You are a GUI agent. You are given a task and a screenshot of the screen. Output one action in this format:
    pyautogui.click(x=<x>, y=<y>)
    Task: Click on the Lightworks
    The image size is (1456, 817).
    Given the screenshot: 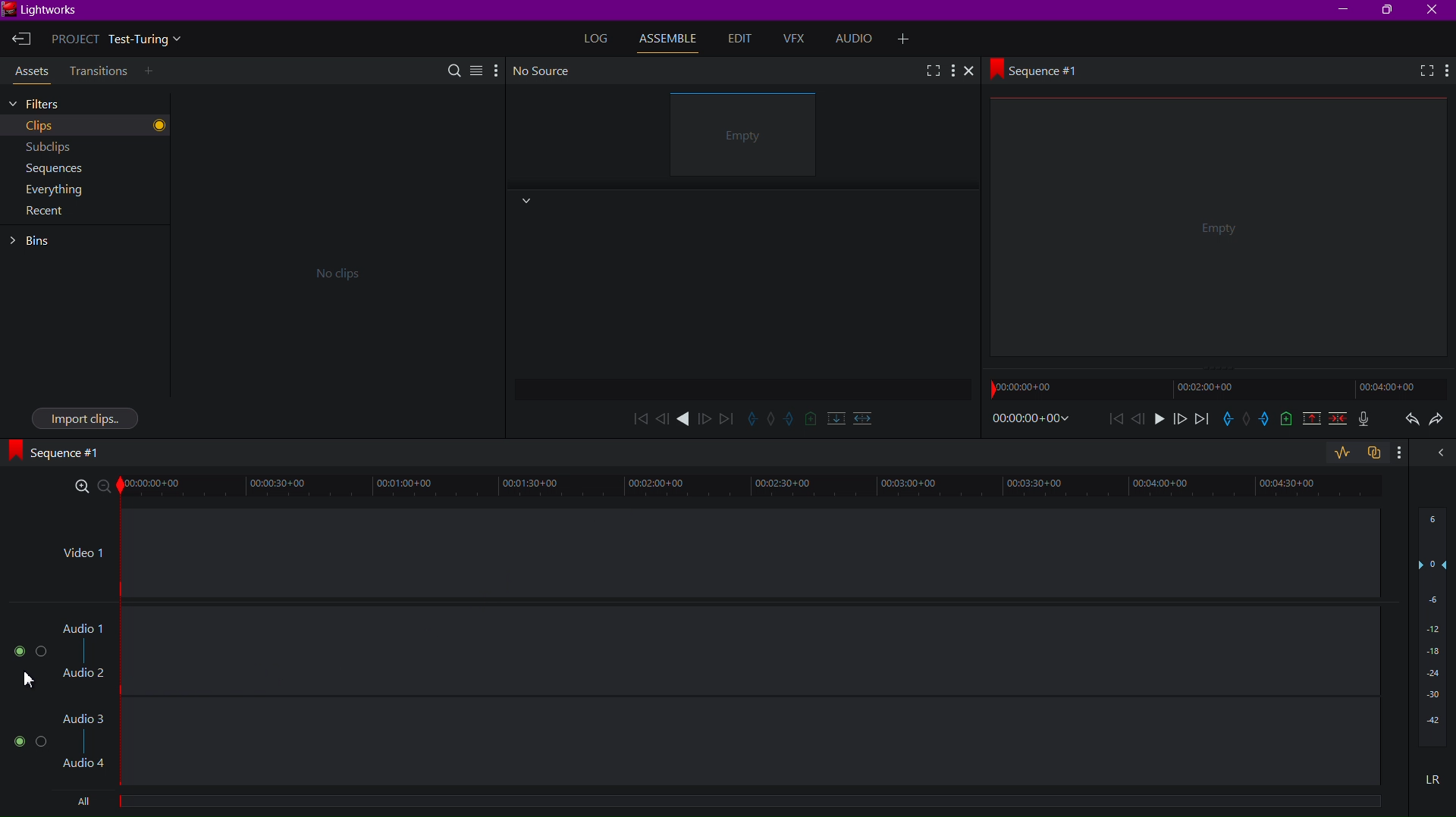 What is the action you would take?
    pyautogui.click(x=45, y=11)
    